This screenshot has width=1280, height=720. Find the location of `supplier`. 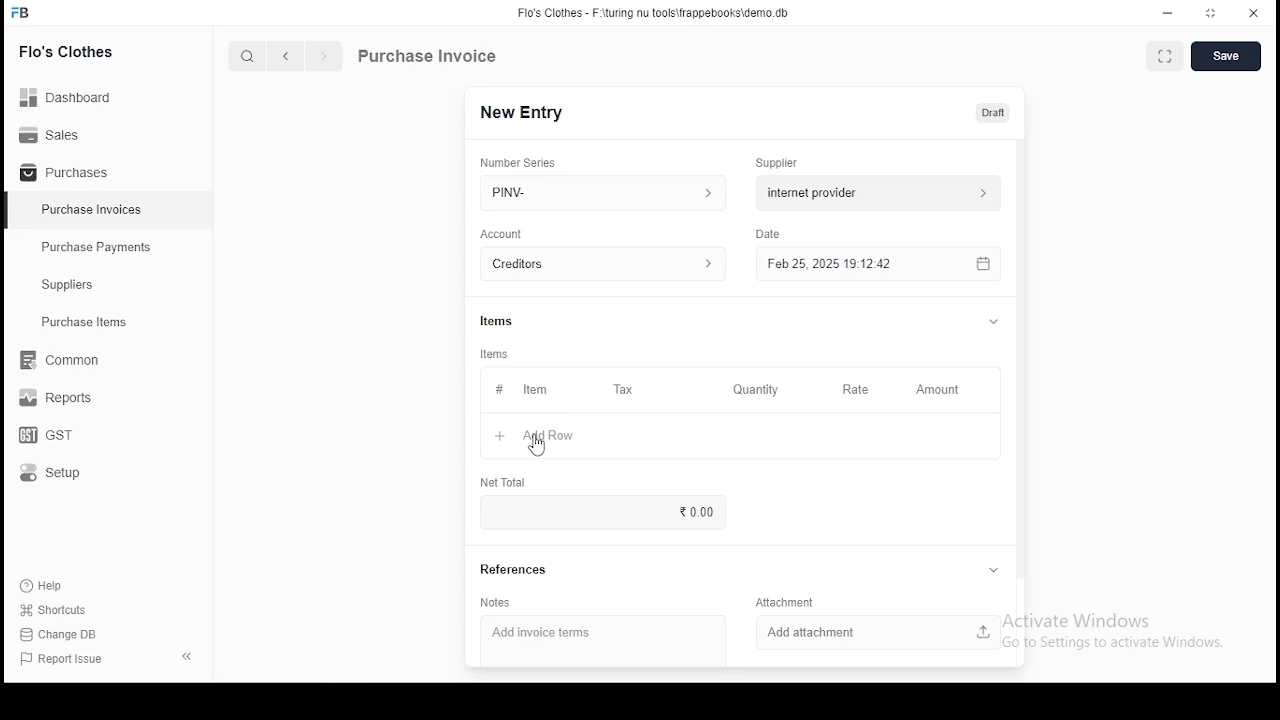

supplier is located at coordinates (873, 192).